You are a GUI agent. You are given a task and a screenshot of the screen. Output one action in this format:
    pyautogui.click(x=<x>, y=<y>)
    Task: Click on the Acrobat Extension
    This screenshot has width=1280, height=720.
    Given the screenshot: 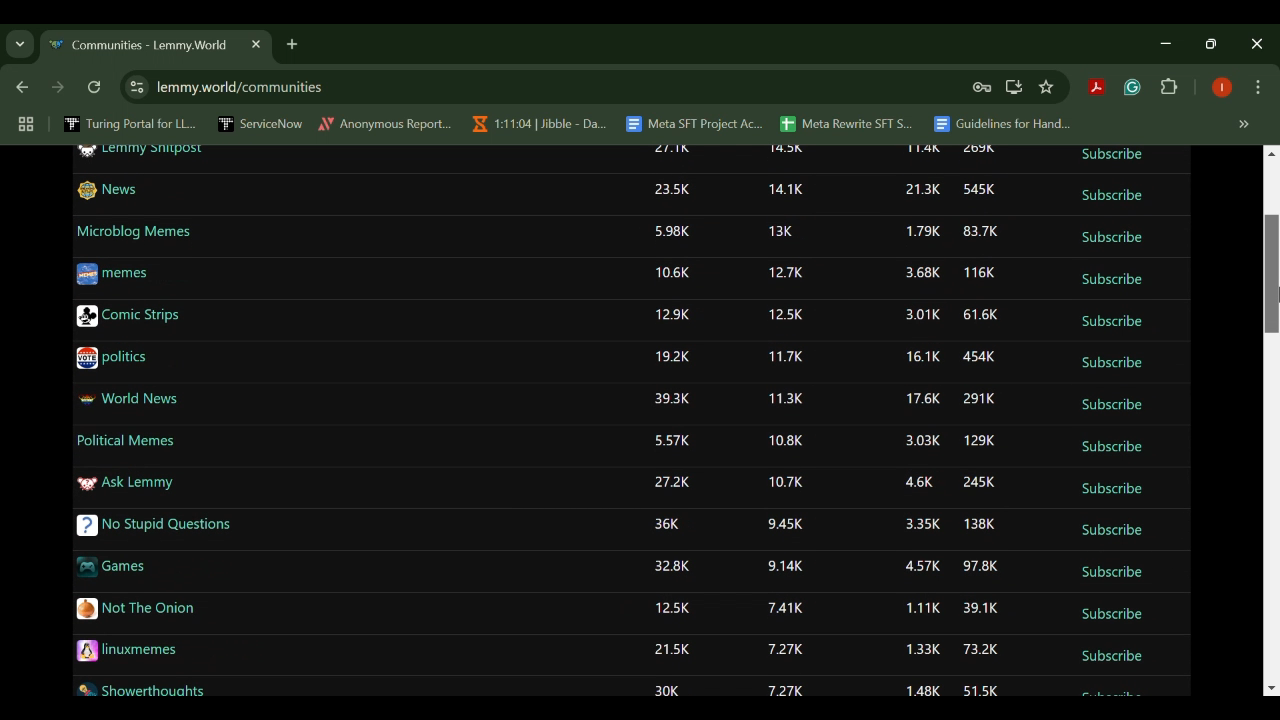 What is the action you would take?
    pyautogui.click(x=1096, y=88)
    